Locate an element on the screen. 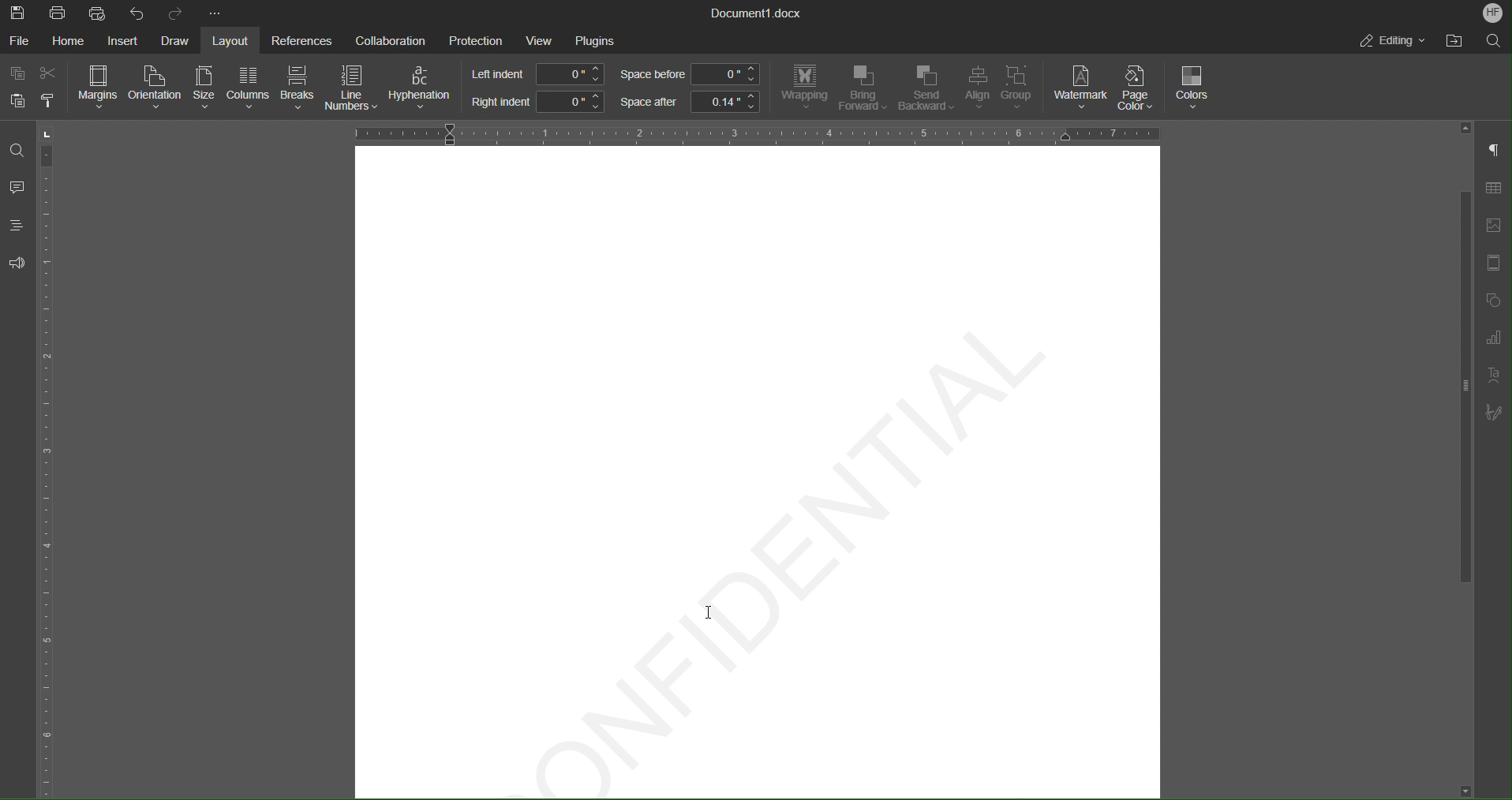 The image size is (1512, 800). Size is located at coordinates (202, 88).